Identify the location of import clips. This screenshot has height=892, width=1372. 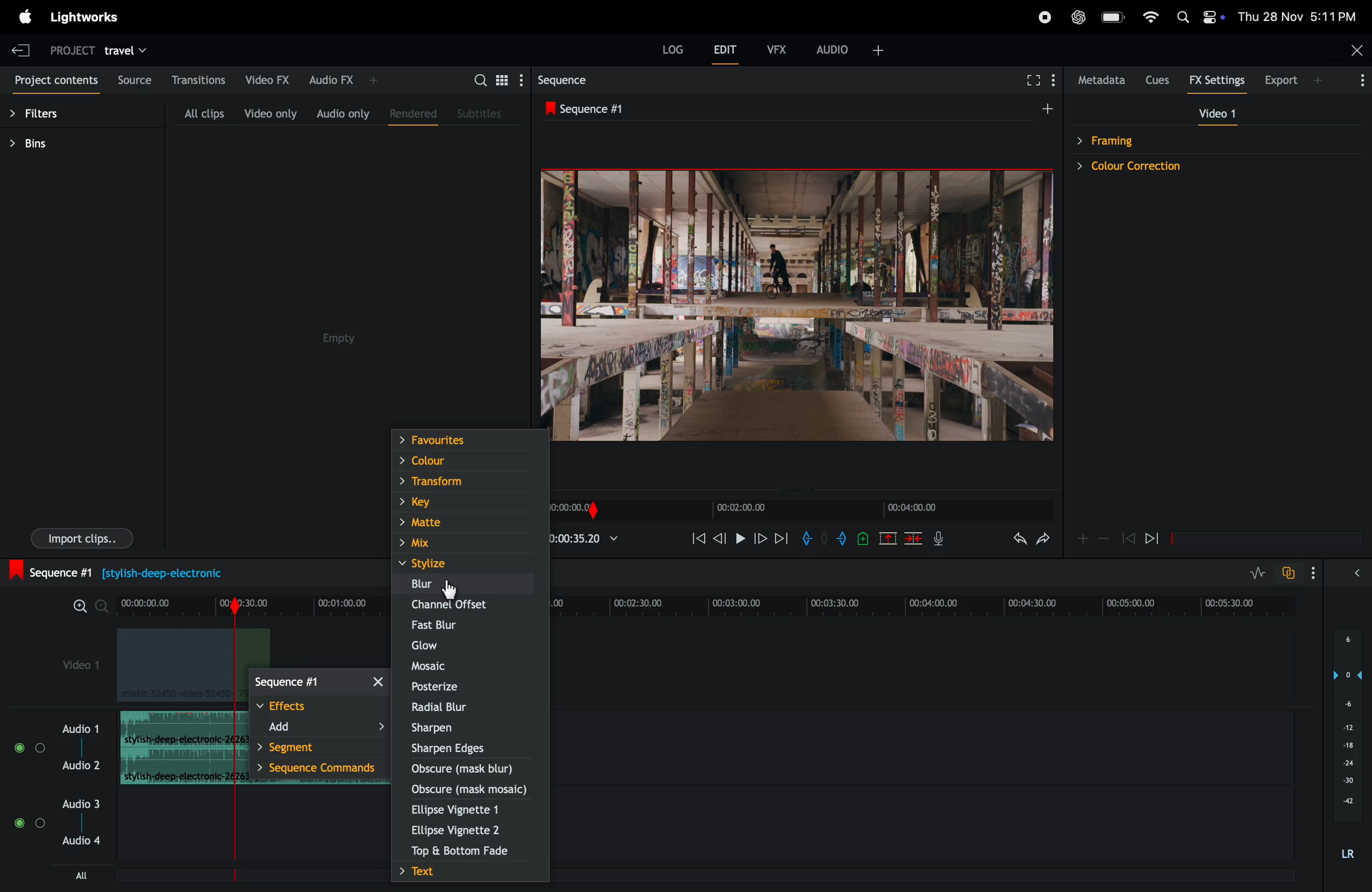
(82, 538).